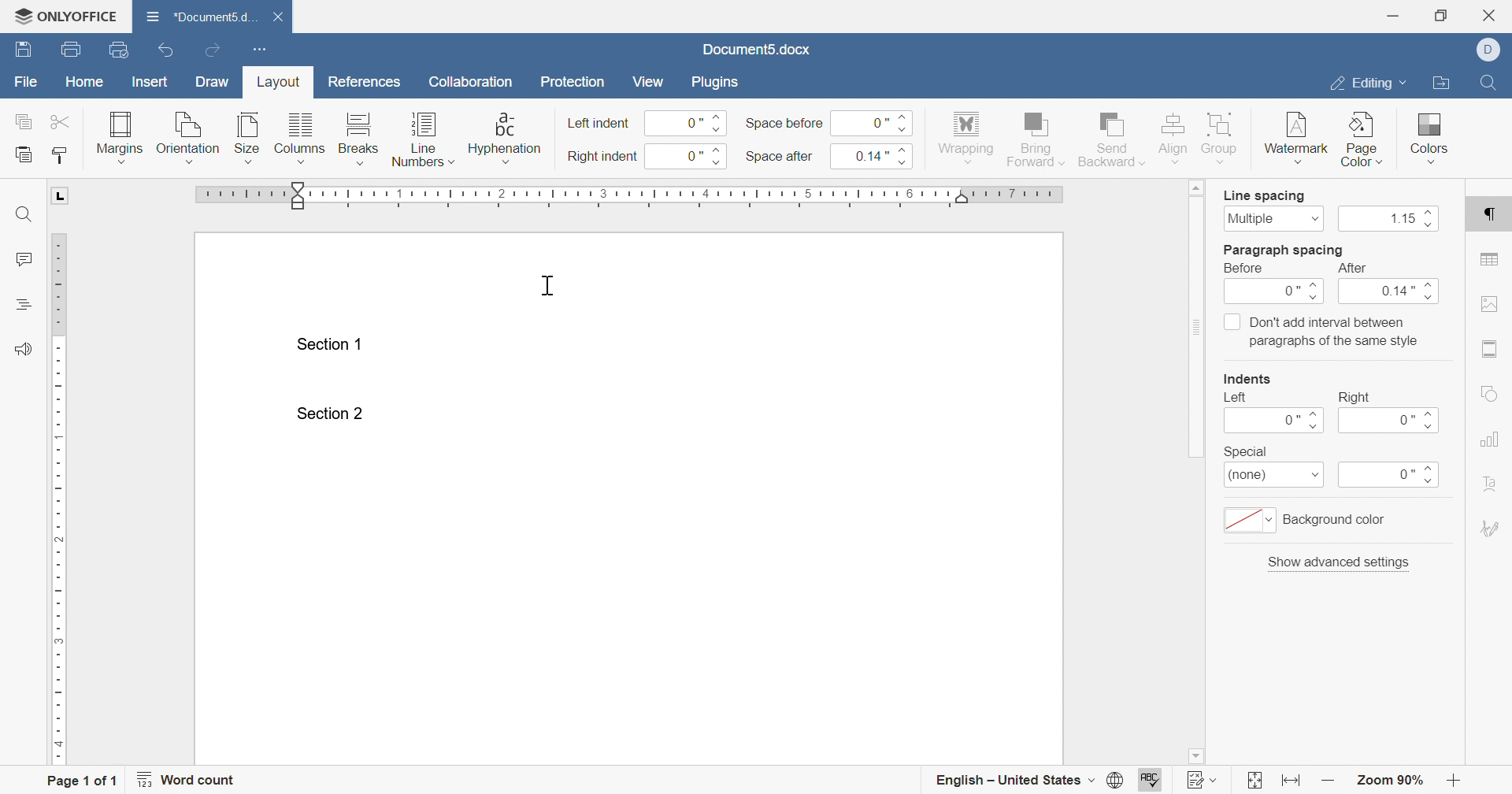 Image resolution: width=1512 pixels, height=794 pixels. I want to click on paste, so click(24, 153).